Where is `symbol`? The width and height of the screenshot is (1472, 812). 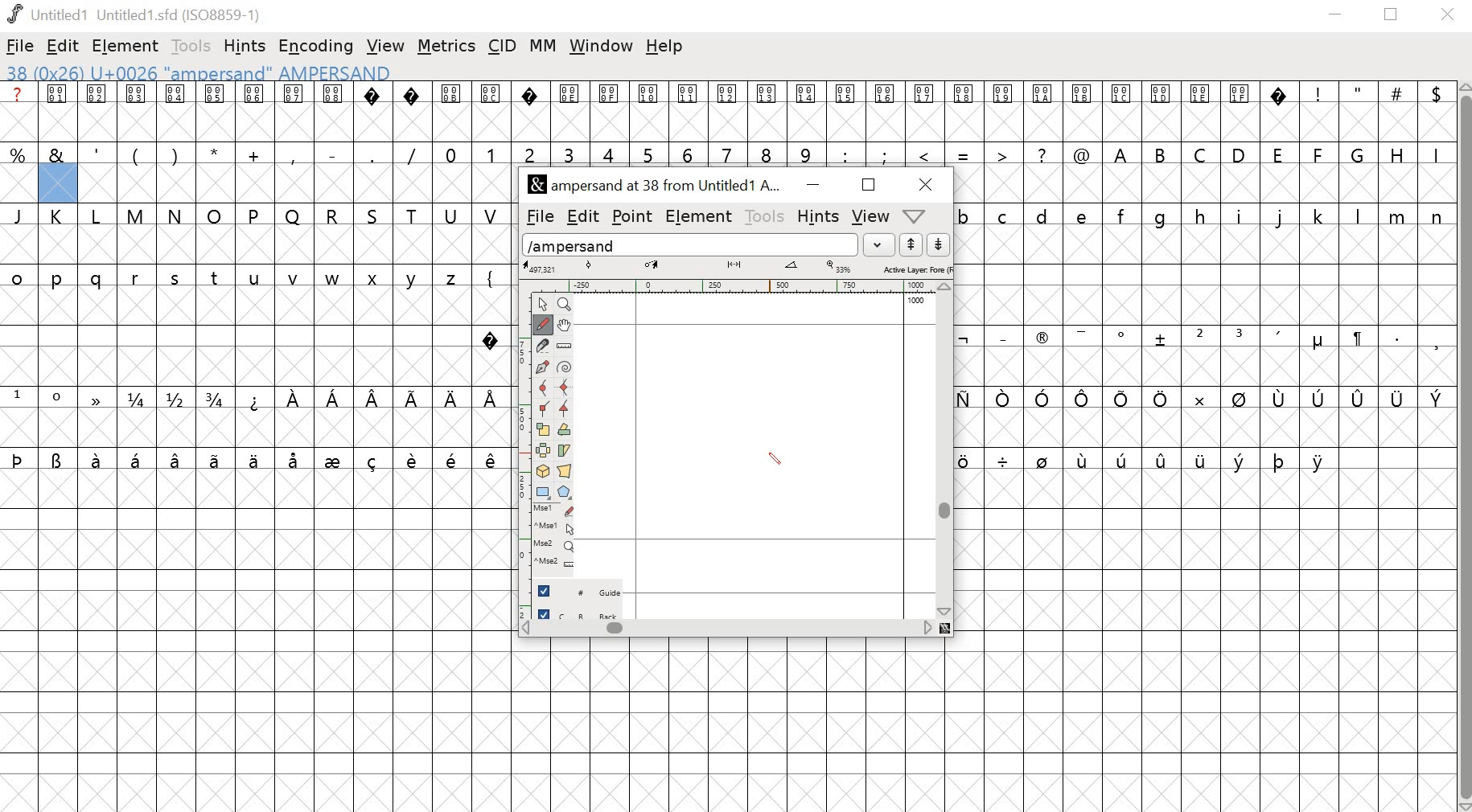
symbol is located at coordinates (1087, 399).